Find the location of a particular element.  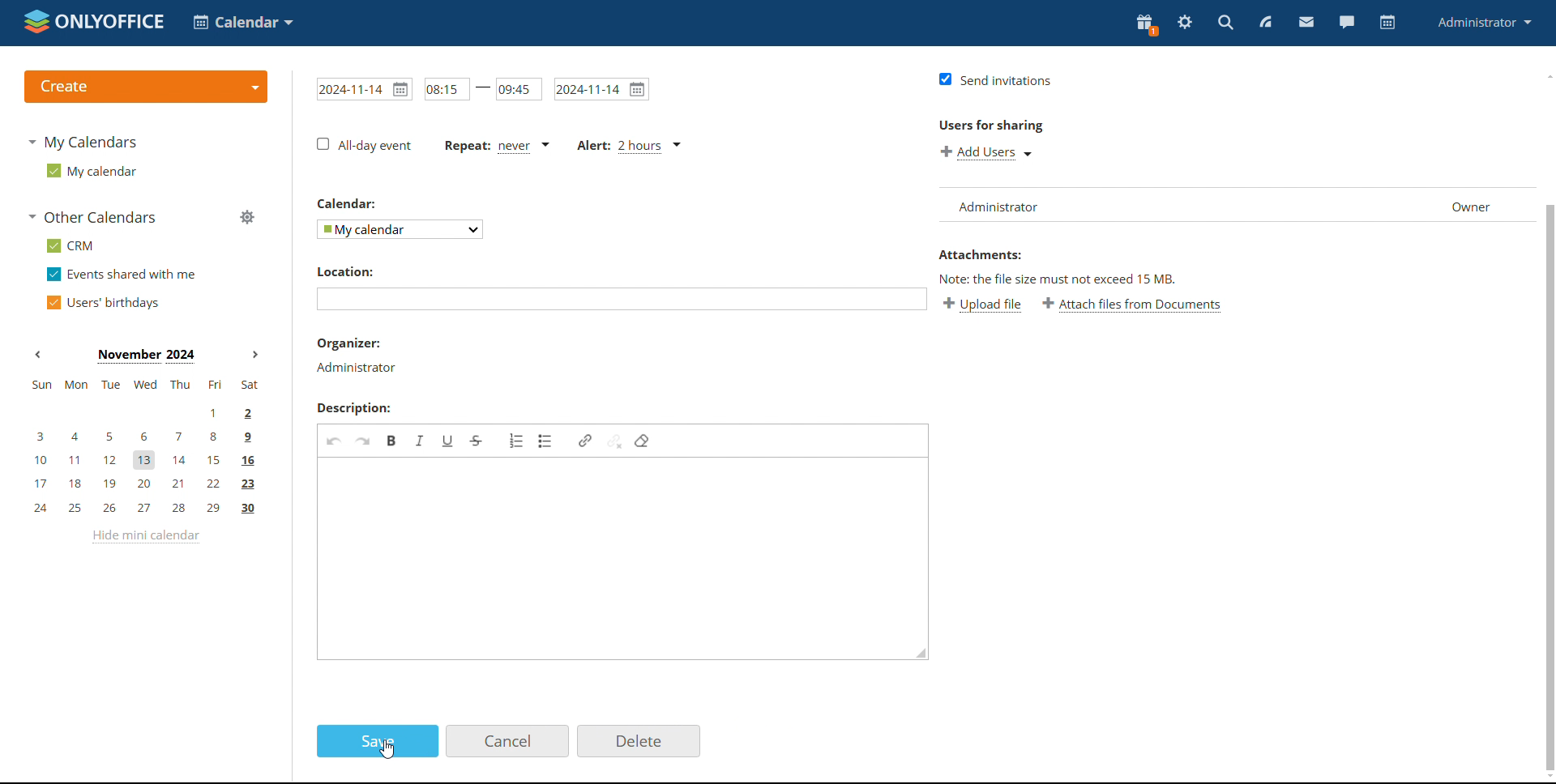

current month is located at coordinates (144, 356).